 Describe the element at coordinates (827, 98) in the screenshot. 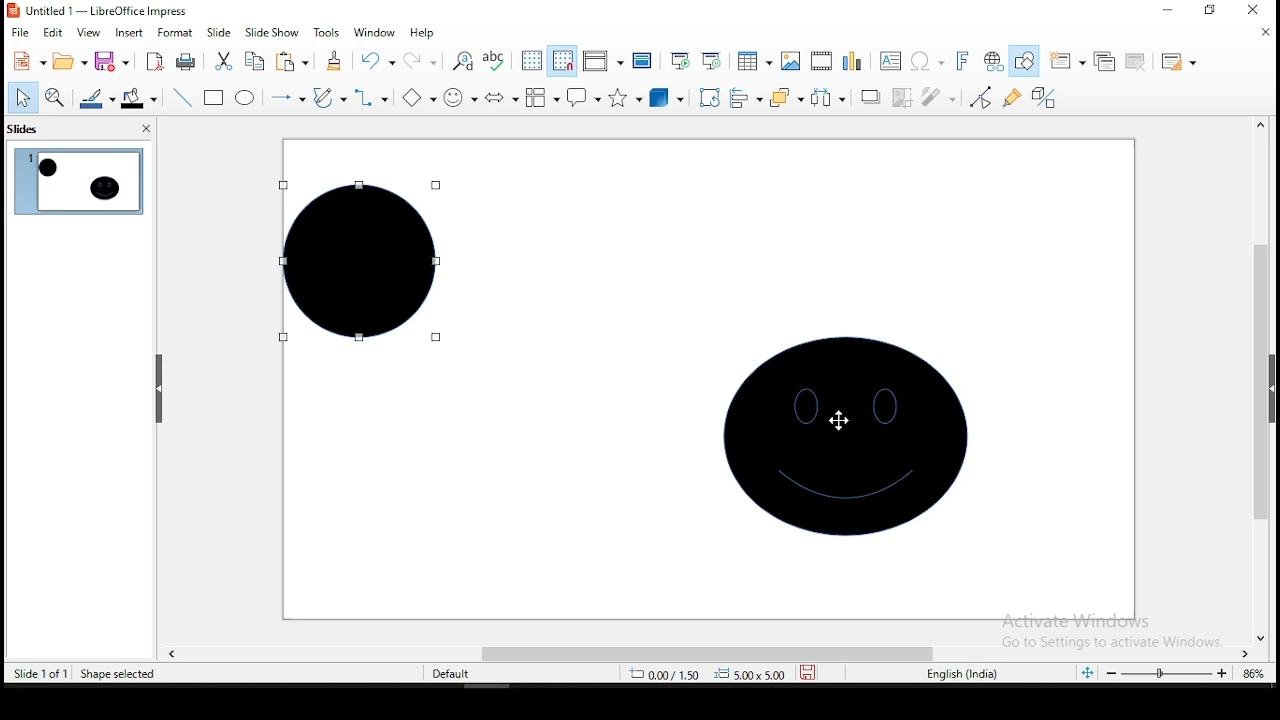

I see `distribute` at that location.